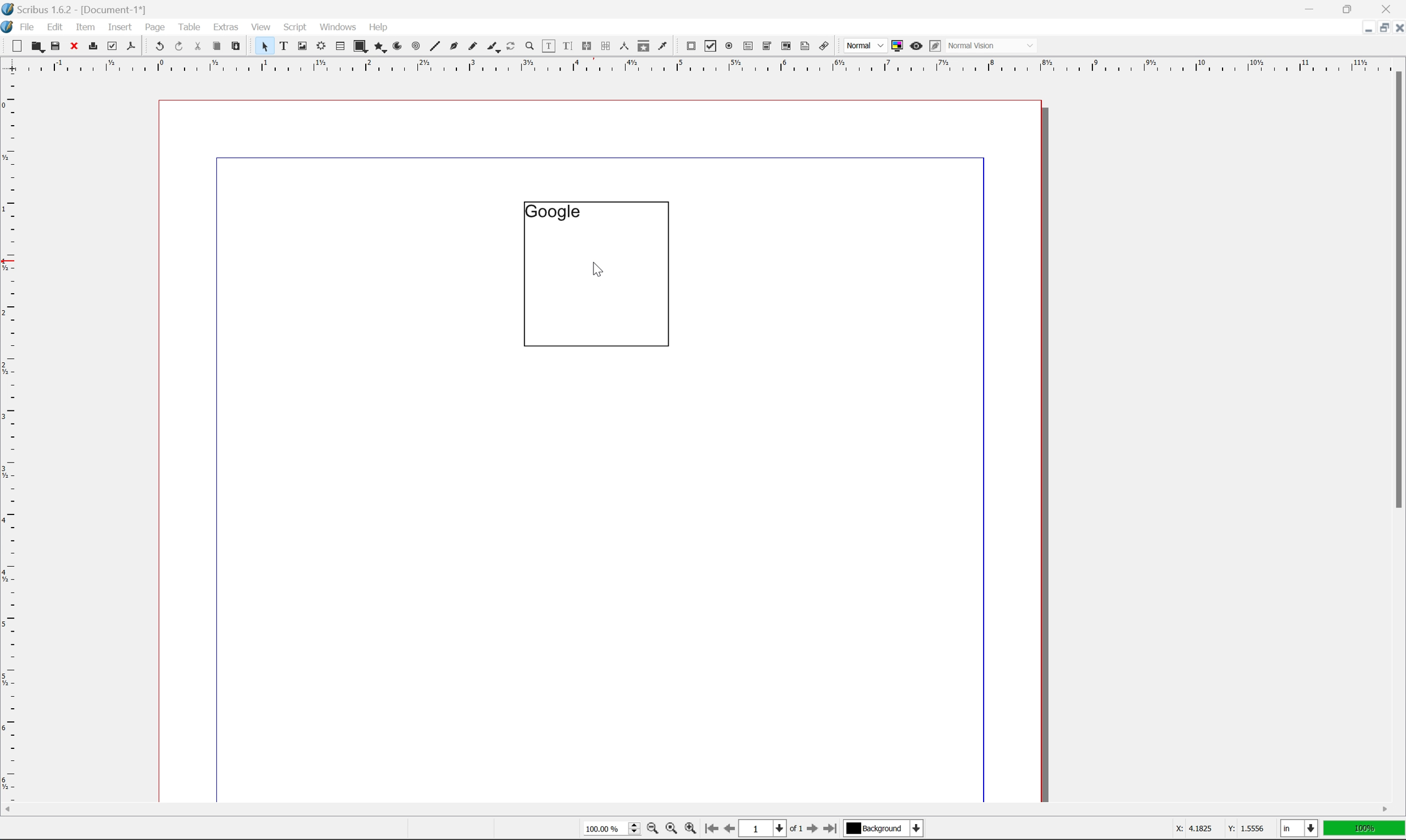  What do you see at coordinates (416, 45) in the screenshot?
I see `spiral` at bounding box center [416, 45].